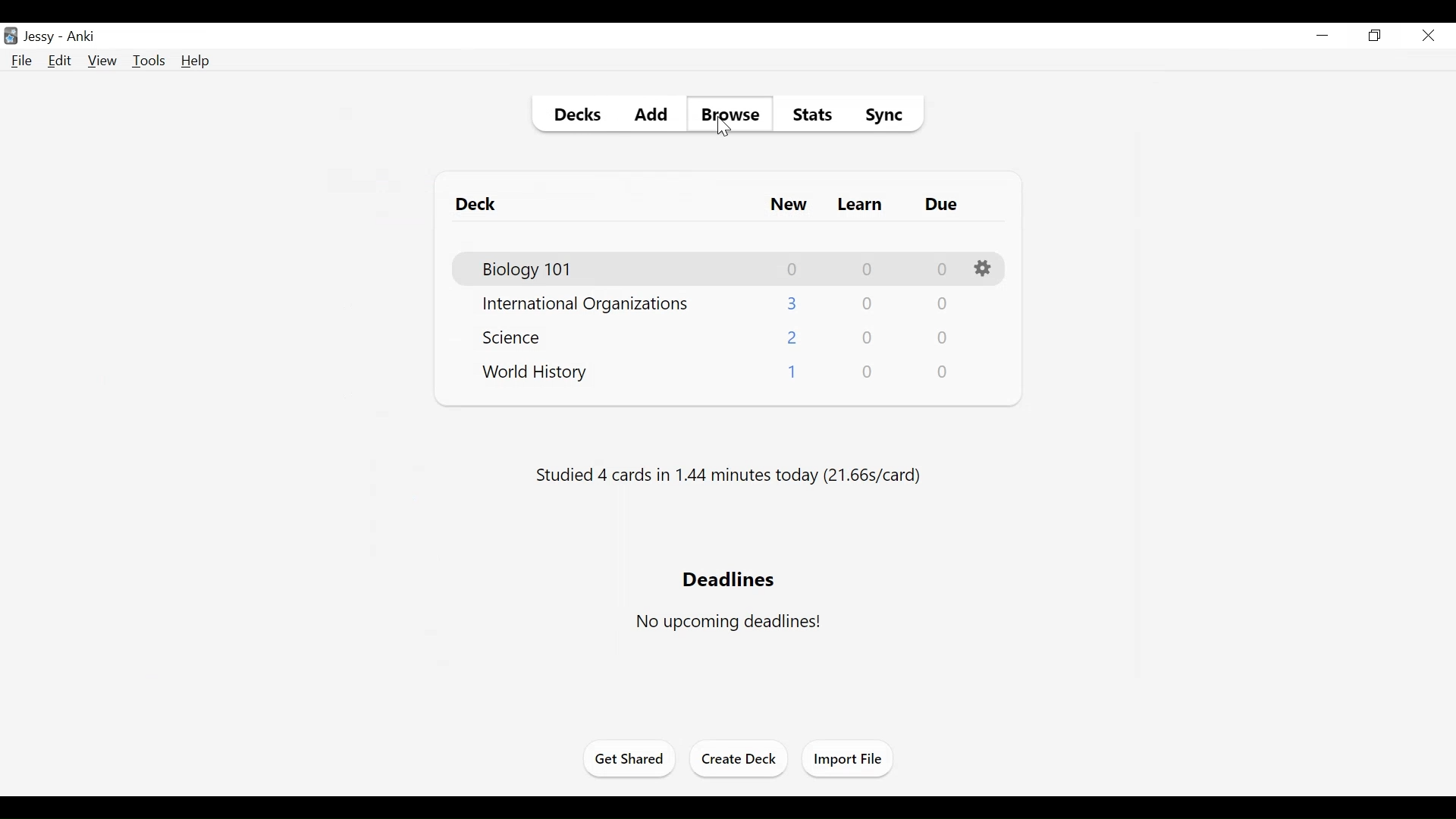  What do you see at coordinates (724, 129) in the screenshot?
I see `Cursor` at bounding box center [724, 129].